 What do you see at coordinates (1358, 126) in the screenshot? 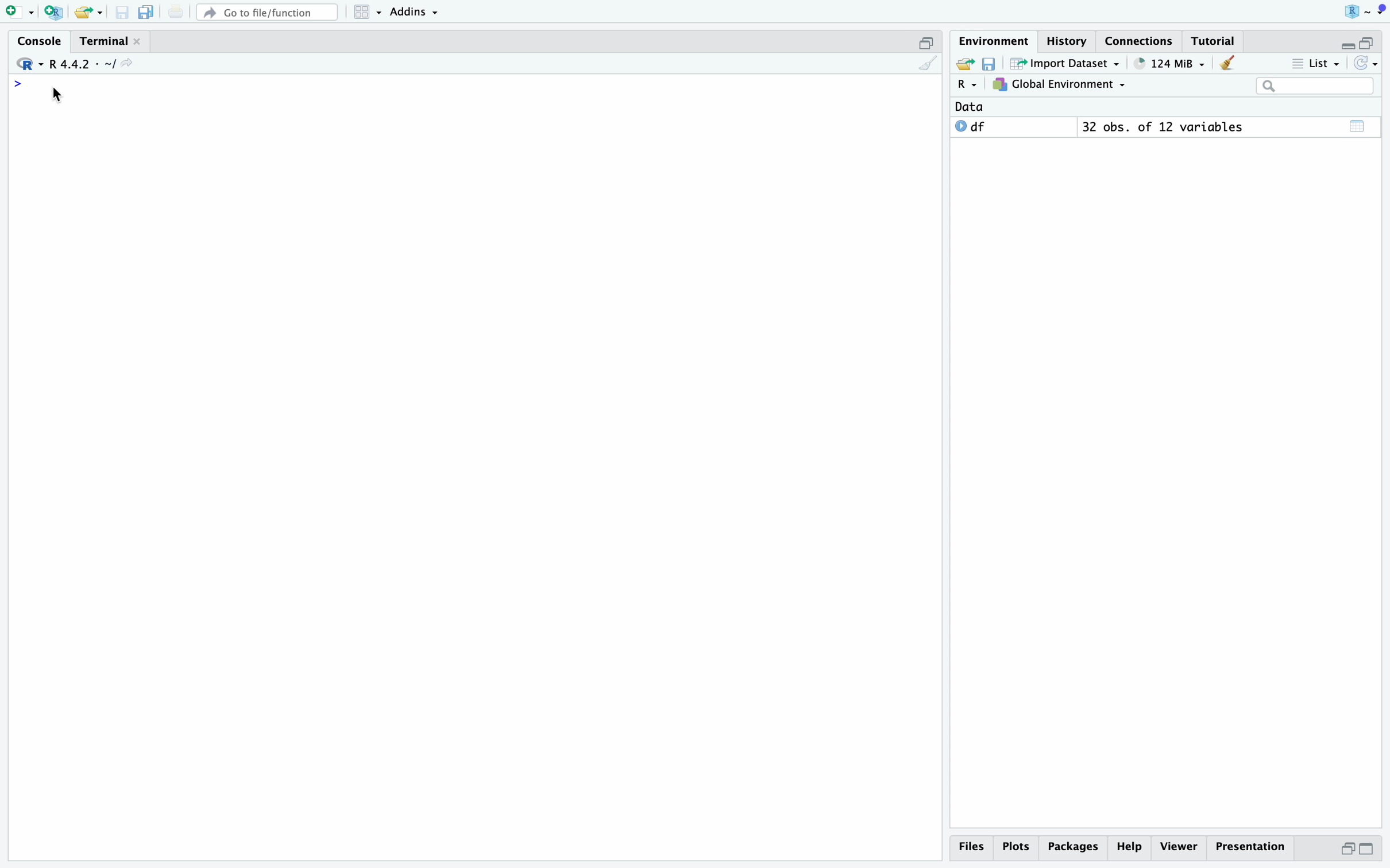
I see `table view` at bounding box center [1358, 126].